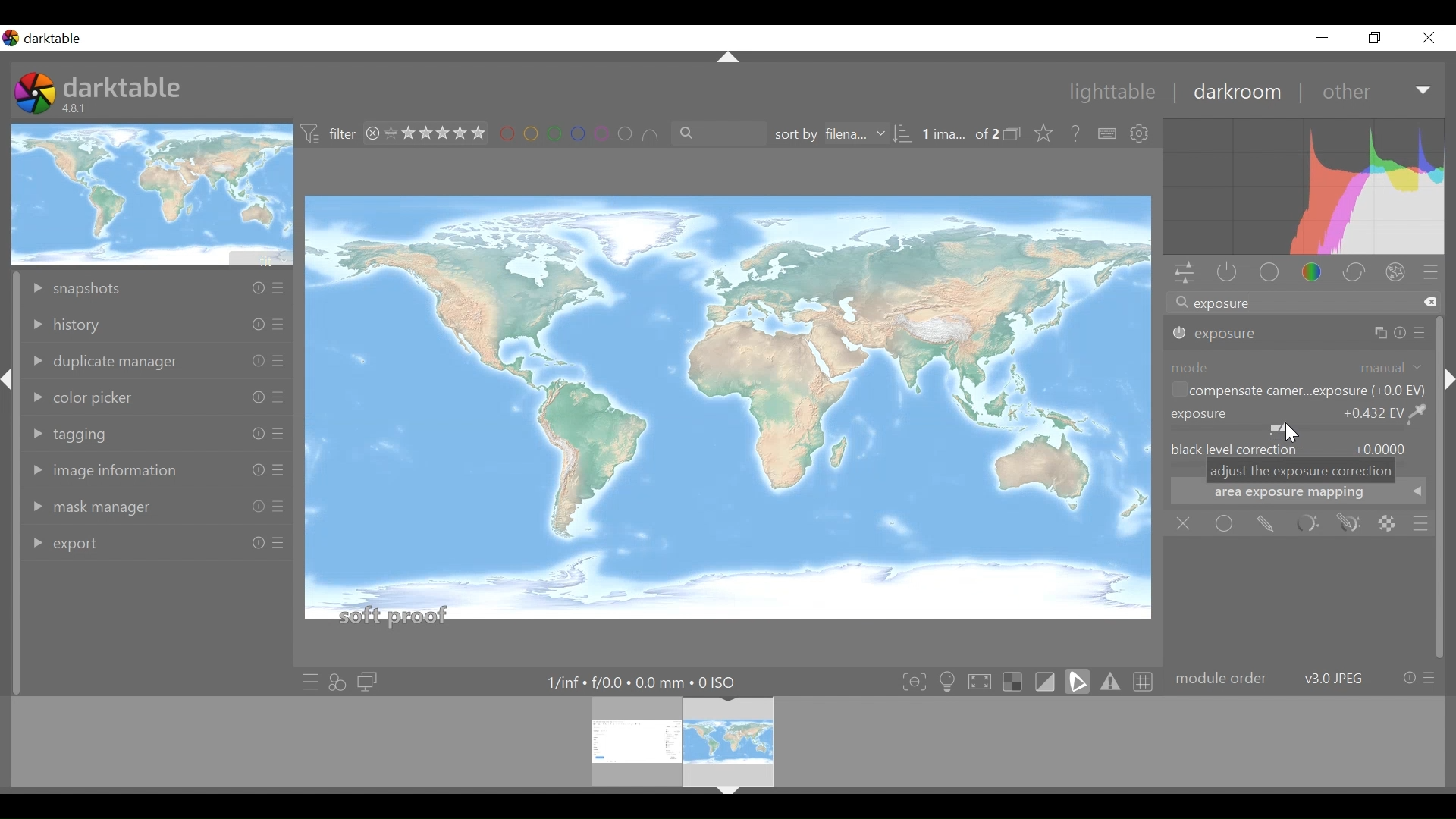 The height and width of the screenshot is (819, 1456). Describe the element at coordinates (838, 135) in the screenshot. I see `sort by` at that location.